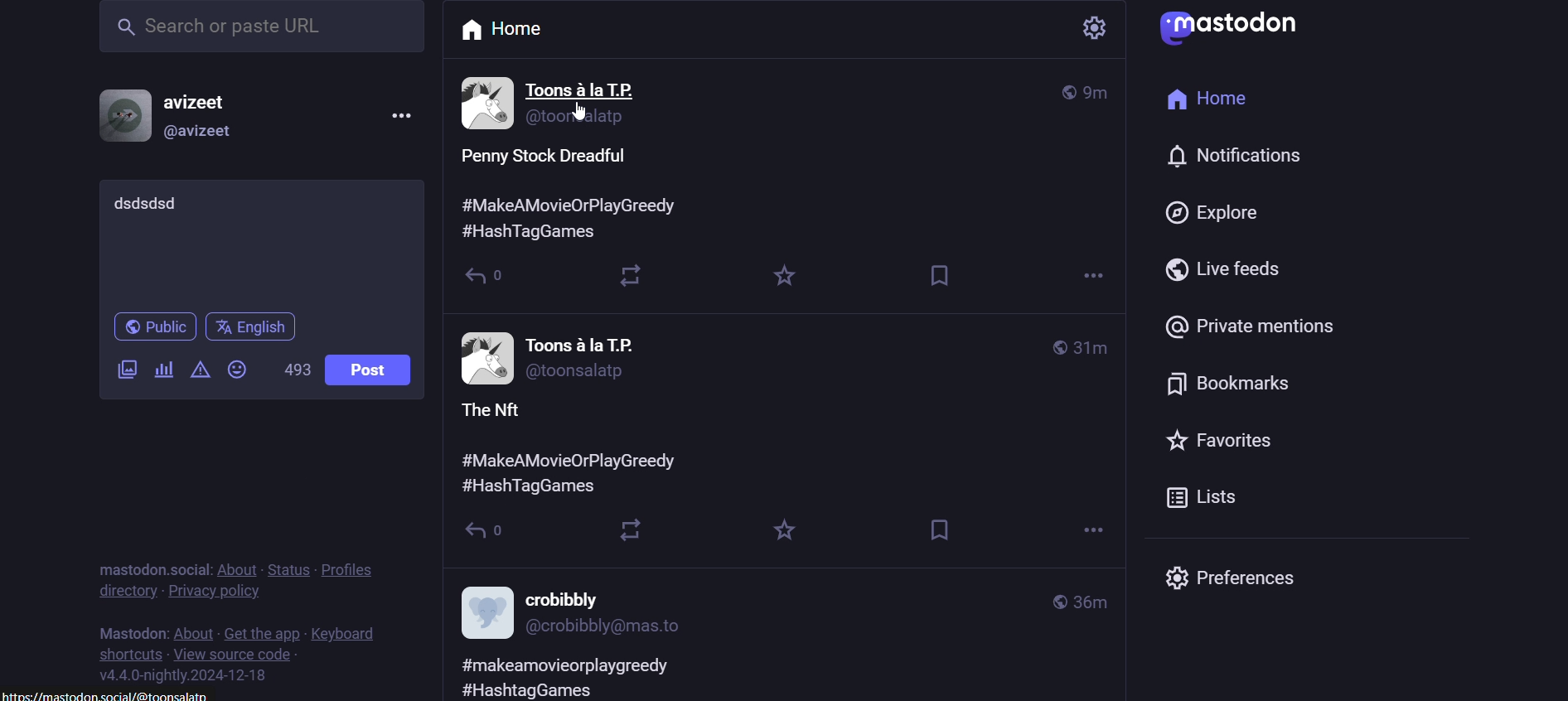  What do you see at coordinates (784, 275) in the screenshot?
I see `favorite` at bounding box center [784, 275].